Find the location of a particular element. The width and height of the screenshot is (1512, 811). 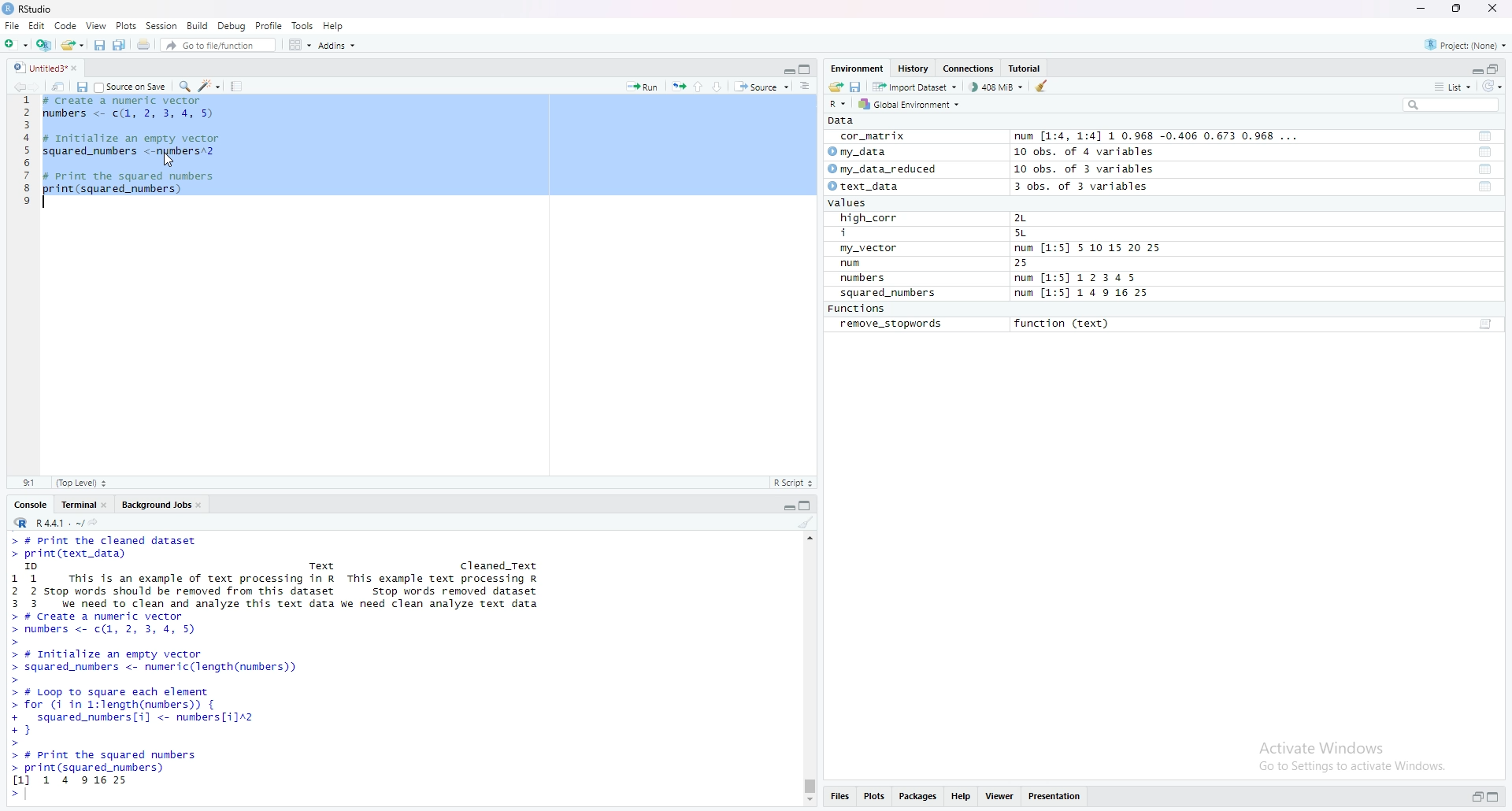

close is located at coordinates (107, 503).